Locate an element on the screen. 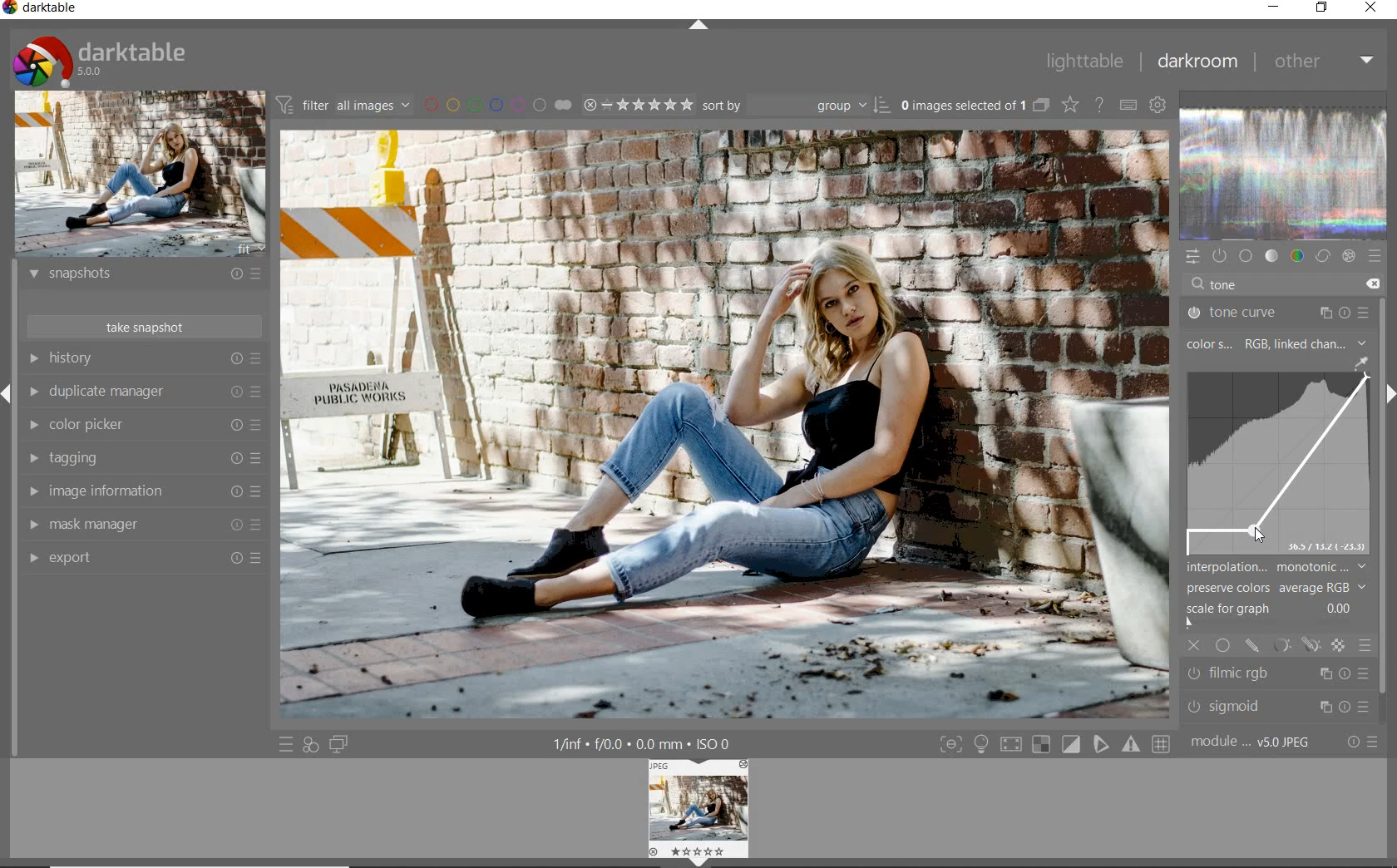 The width and height of the screenshot is (1397, 868). color picker is located at coordinates (146, 426).